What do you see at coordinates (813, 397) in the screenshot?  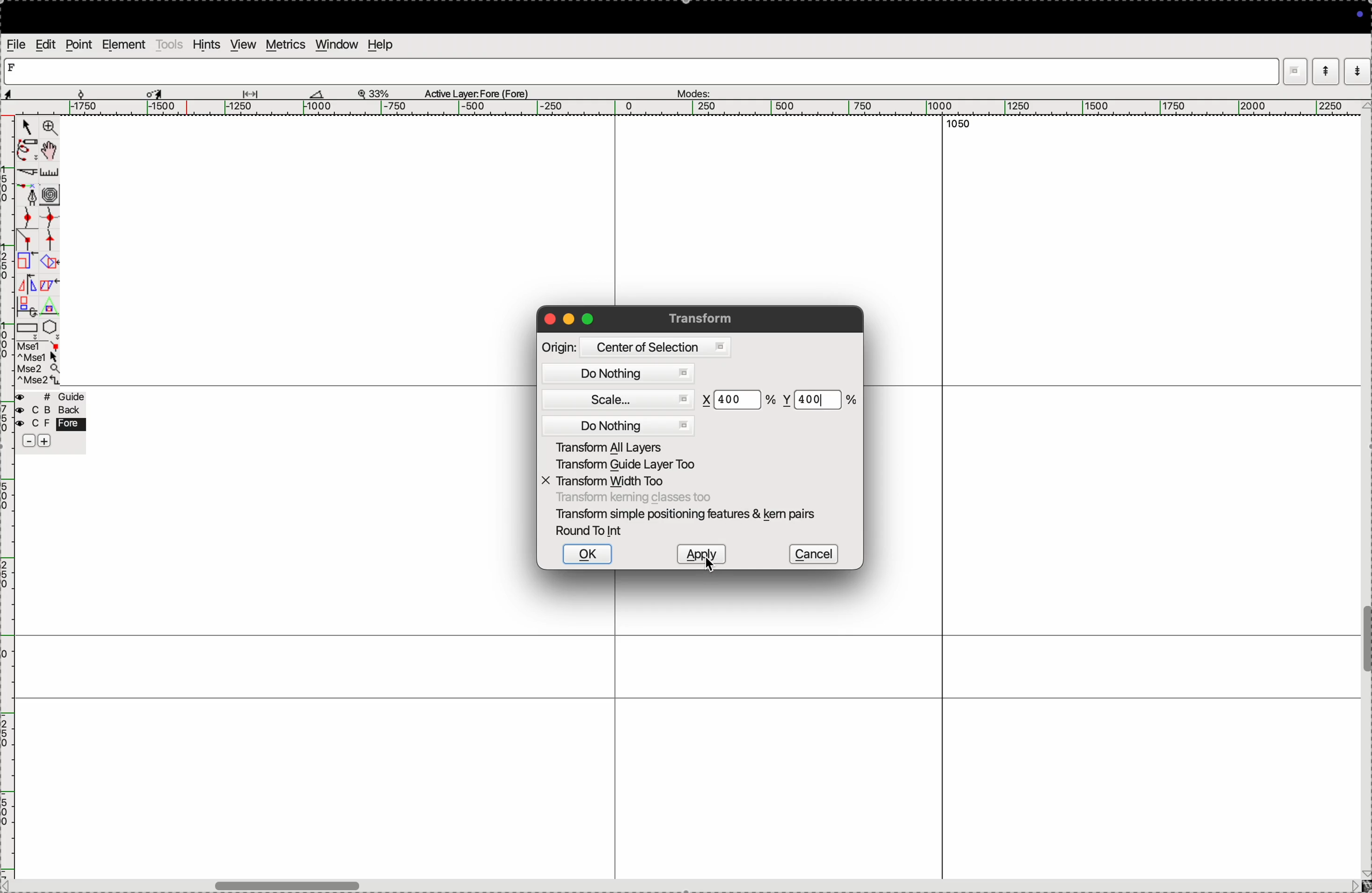 I see `400` at bounding box center [813, 397].